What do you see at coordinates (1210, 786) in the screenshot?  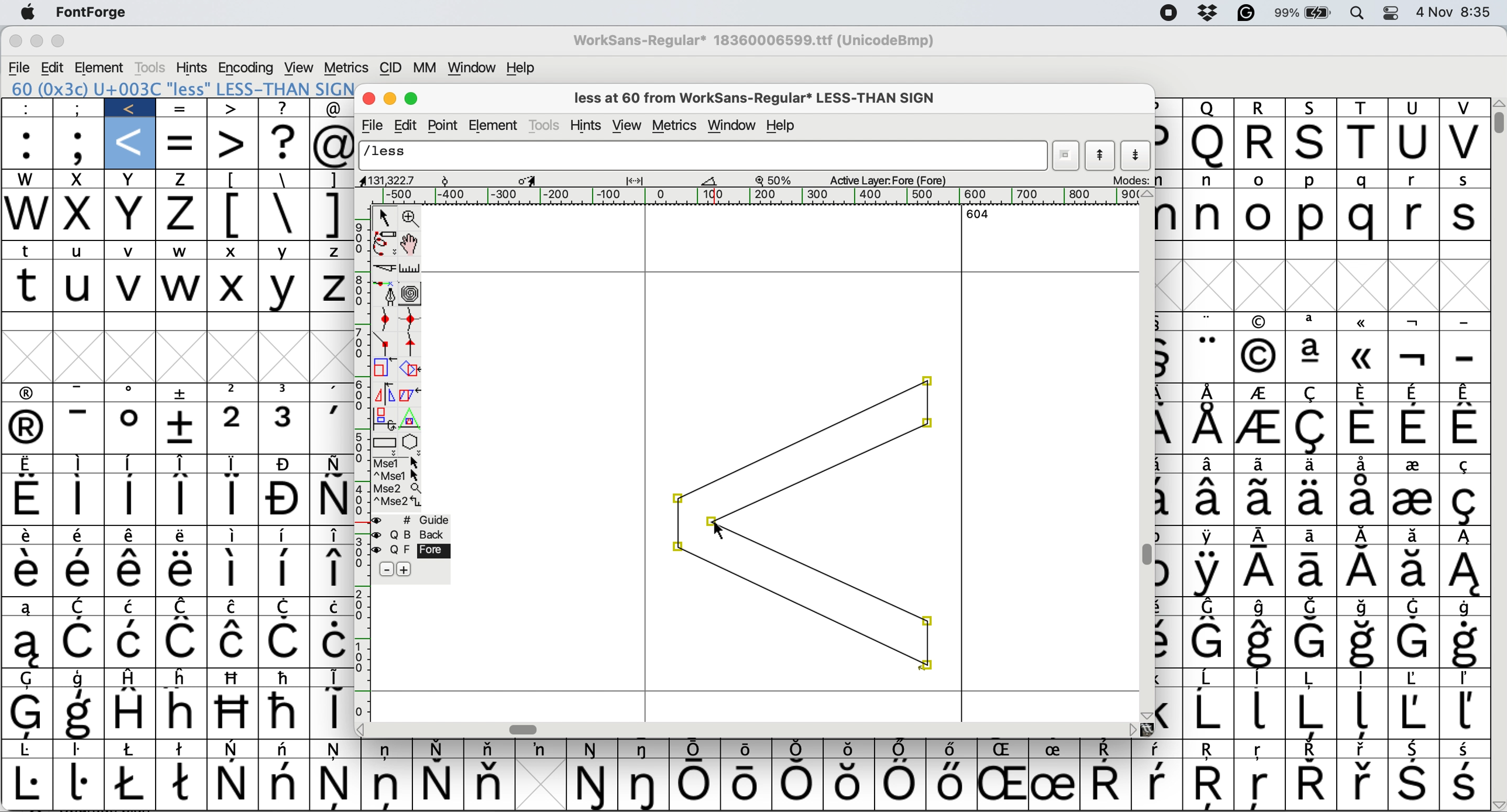 I see `Symbol` at bounding box center [1210, 786].